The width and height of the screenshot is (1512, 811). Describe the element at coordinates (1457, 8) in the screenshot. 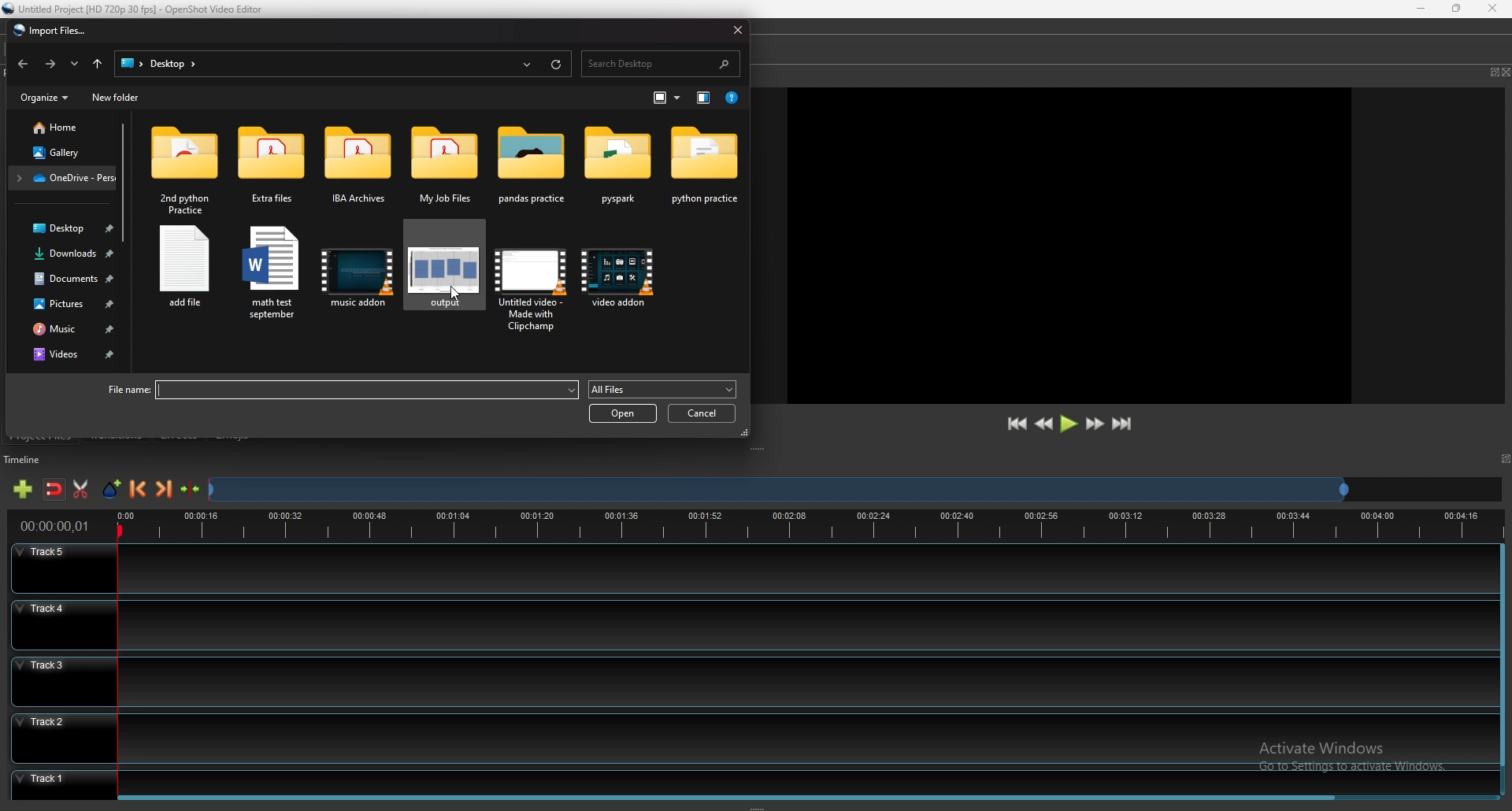

I see `resize` at that location.